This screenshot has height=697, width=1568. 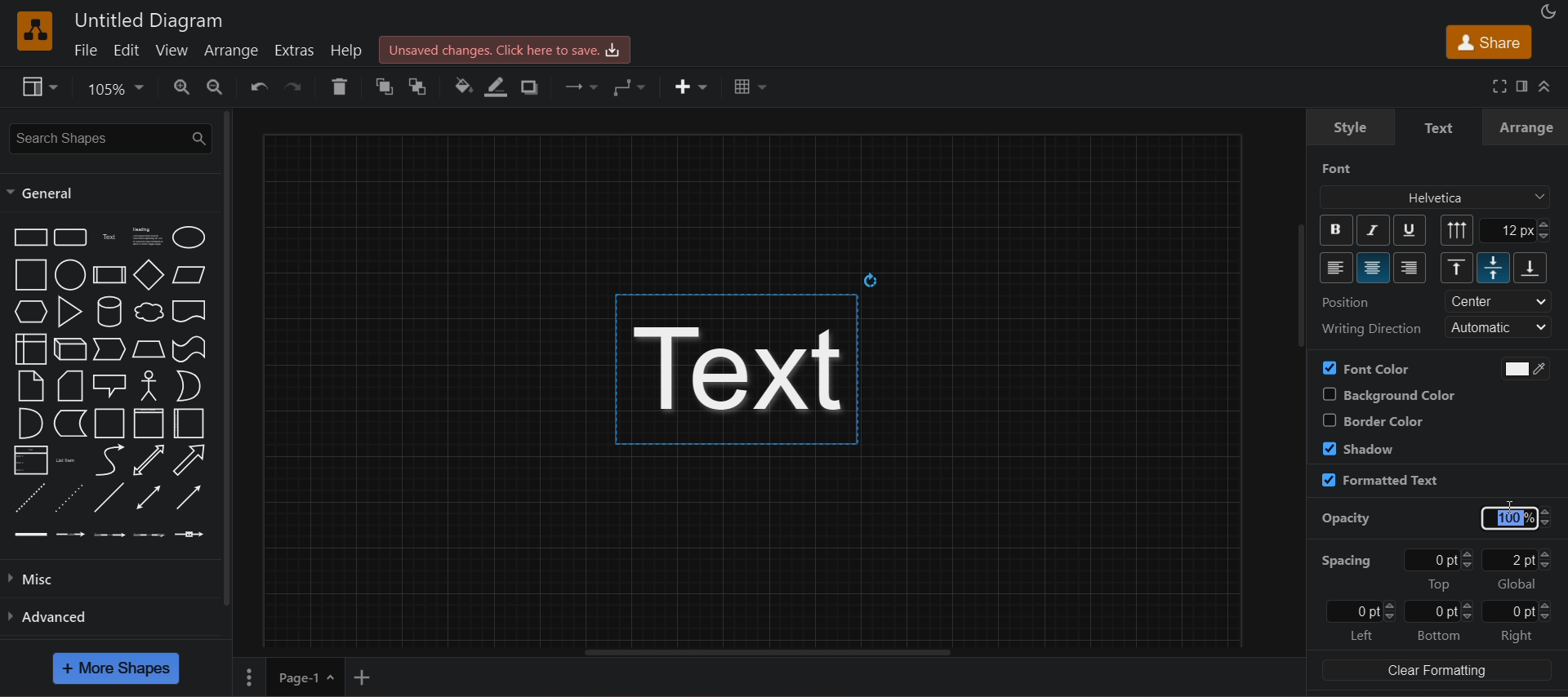 I want to click on card, so click(x=71, y=385).